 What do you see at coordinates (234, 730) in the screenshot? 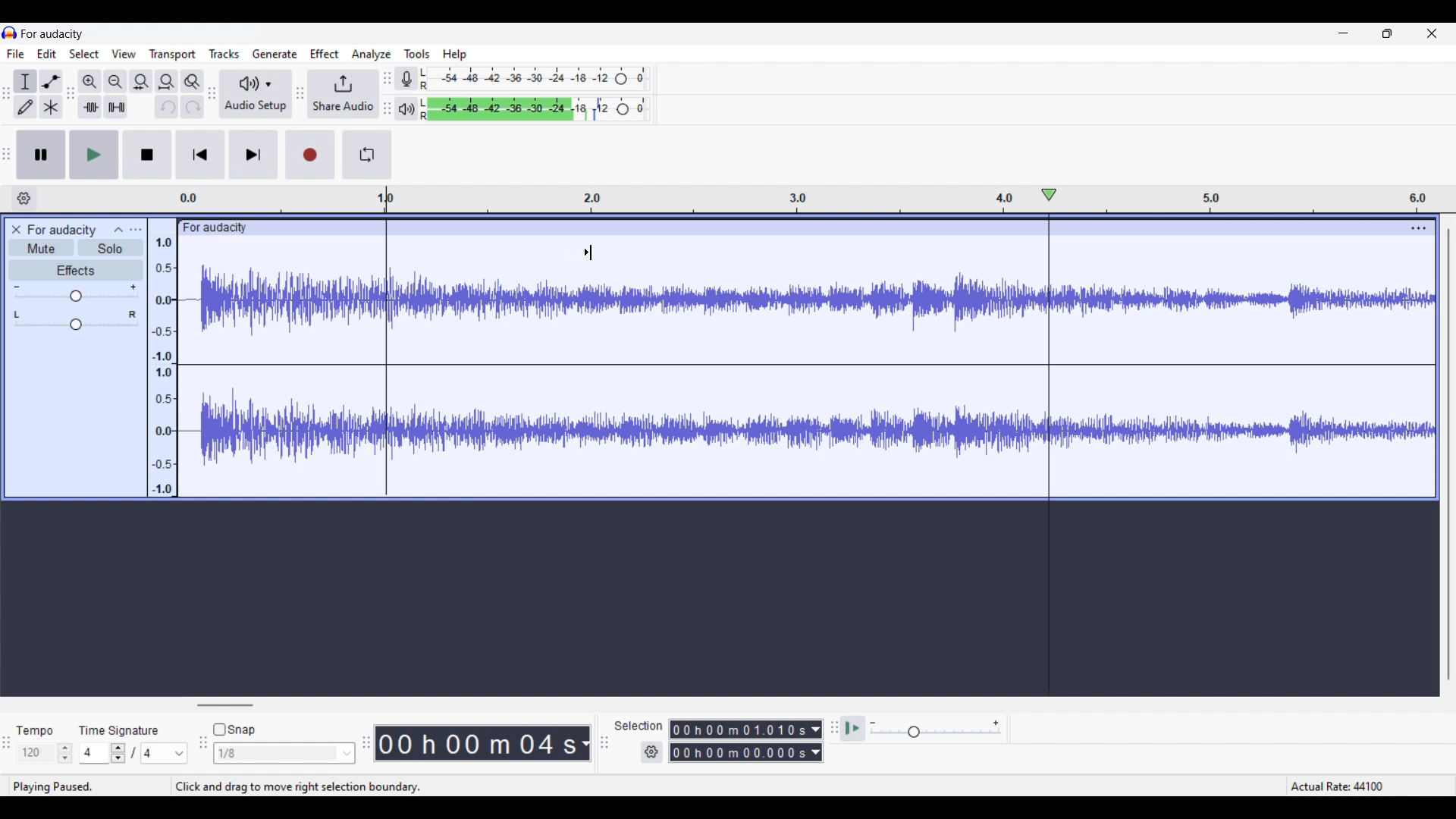
I see `Snap toggle` at bounding box center [234, 730].